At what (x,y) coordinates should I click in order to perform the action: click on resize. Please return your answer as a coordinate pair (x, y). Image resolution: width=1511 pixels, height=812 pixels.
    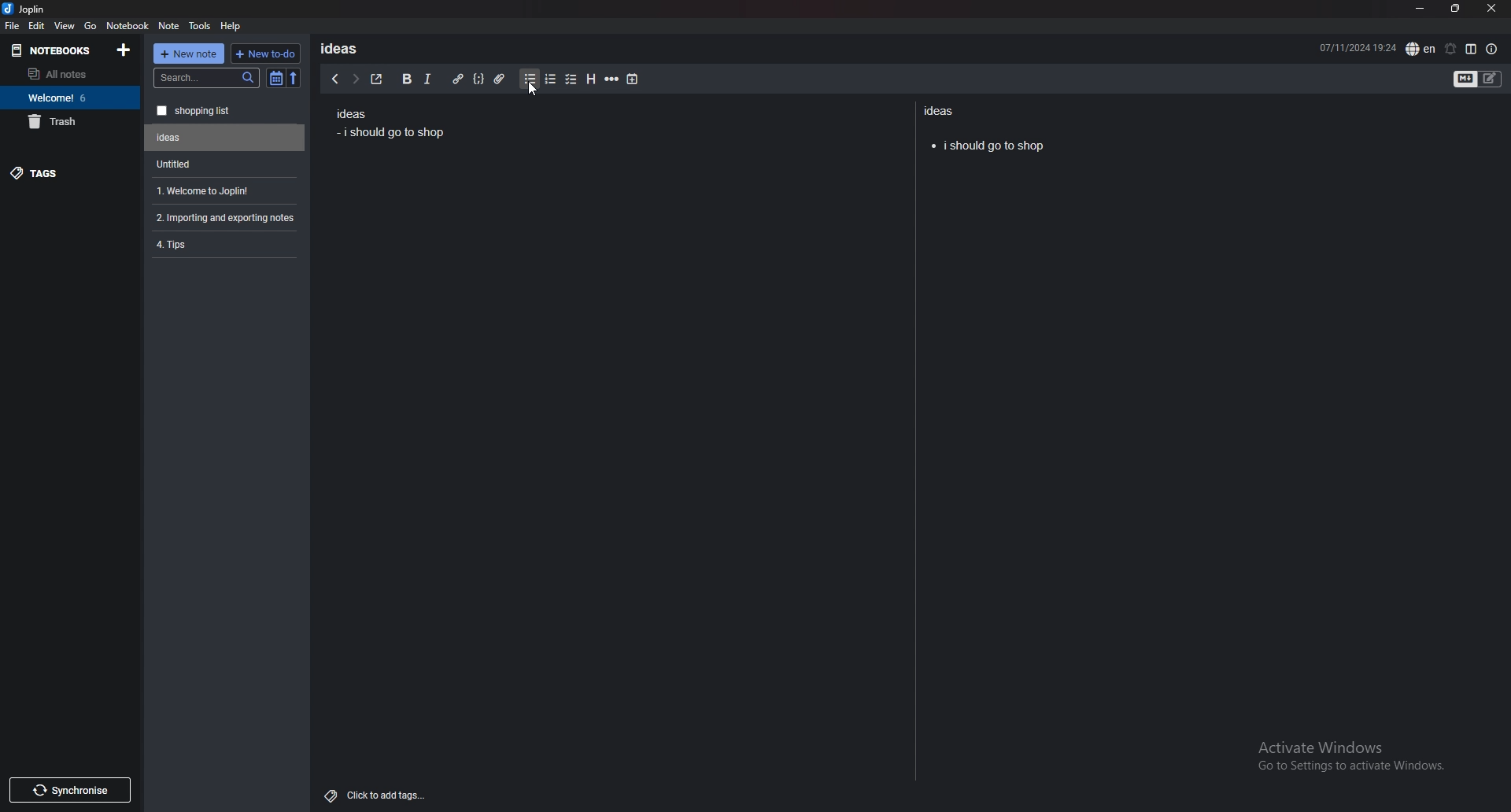
    Looking at the image, I should click on (1455, 9).